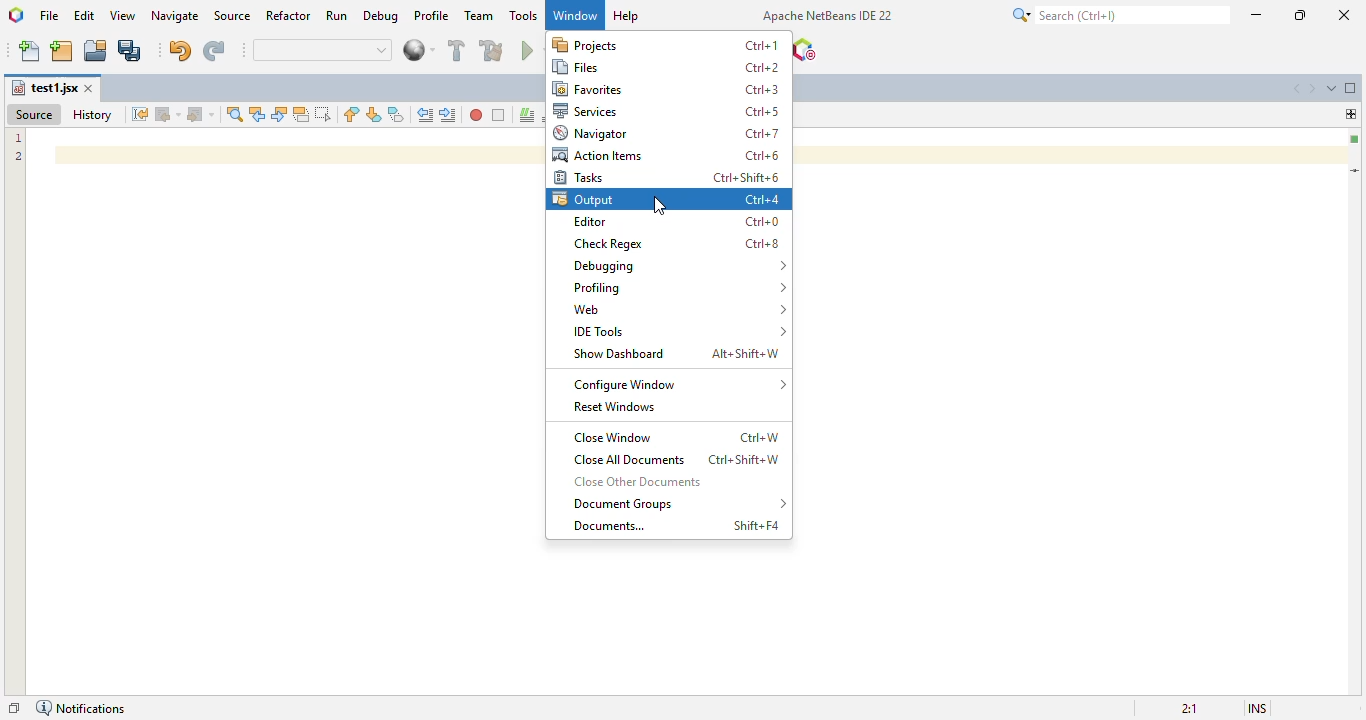 This screenshot has height=720, width=1366. Describe the element at coordinates (50, 16) in the screenshot. I see `file` at that location.